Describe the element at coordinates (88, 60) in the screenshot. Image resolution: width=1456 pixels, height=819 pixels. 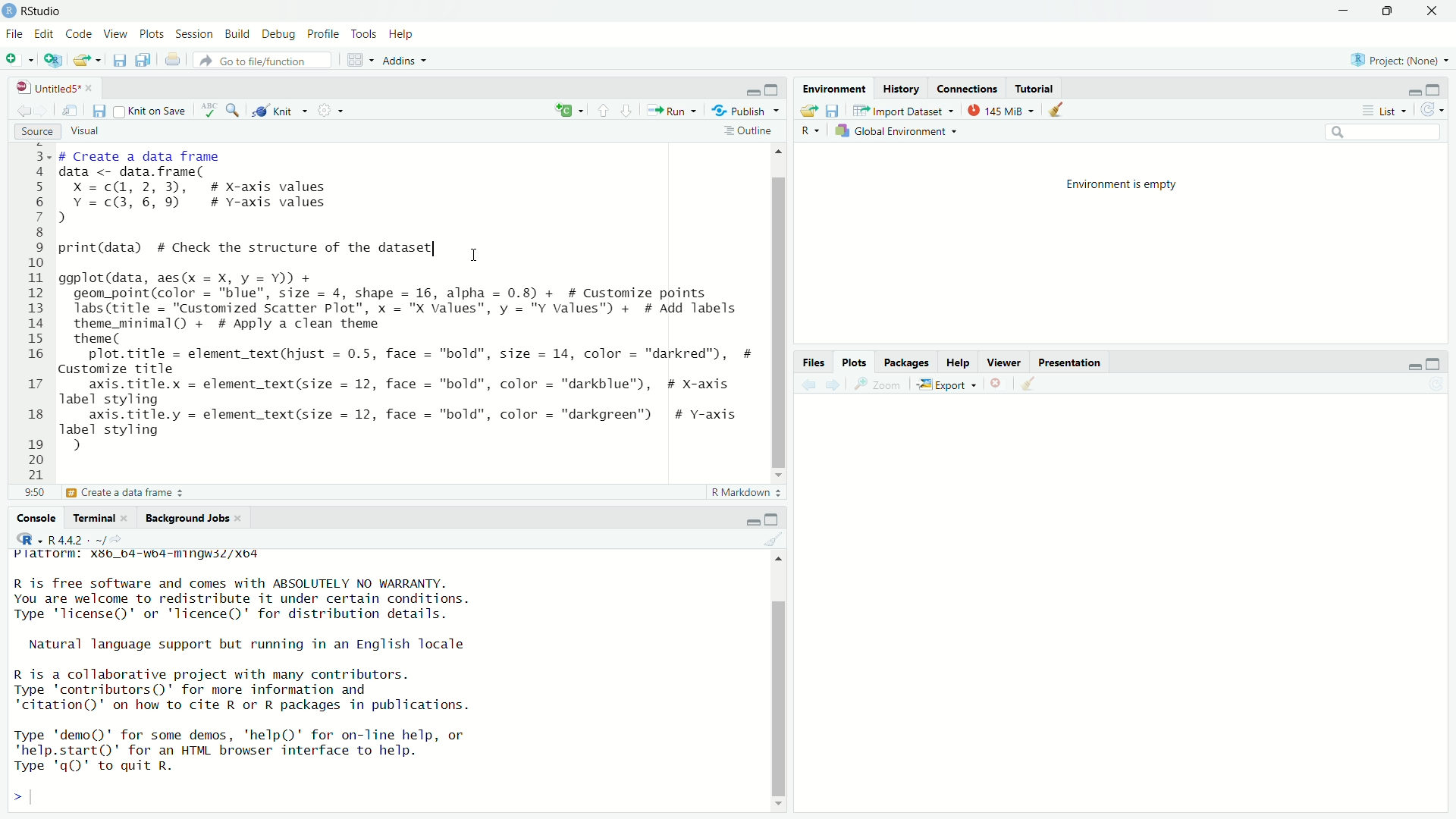
I see `Open an existing file` at that location.